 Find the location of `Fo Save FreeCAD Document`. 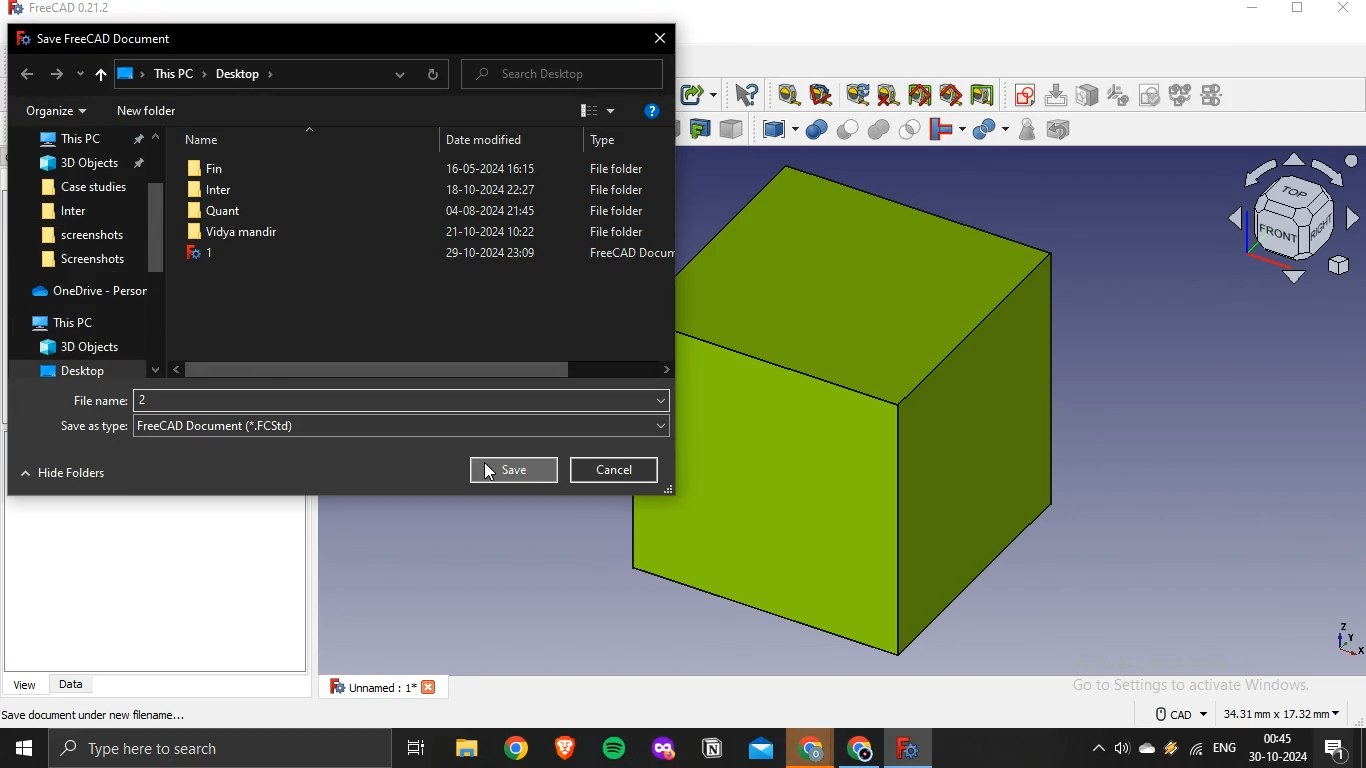

Fo Save FreeCAD Document is located at coordinates (95, 39).